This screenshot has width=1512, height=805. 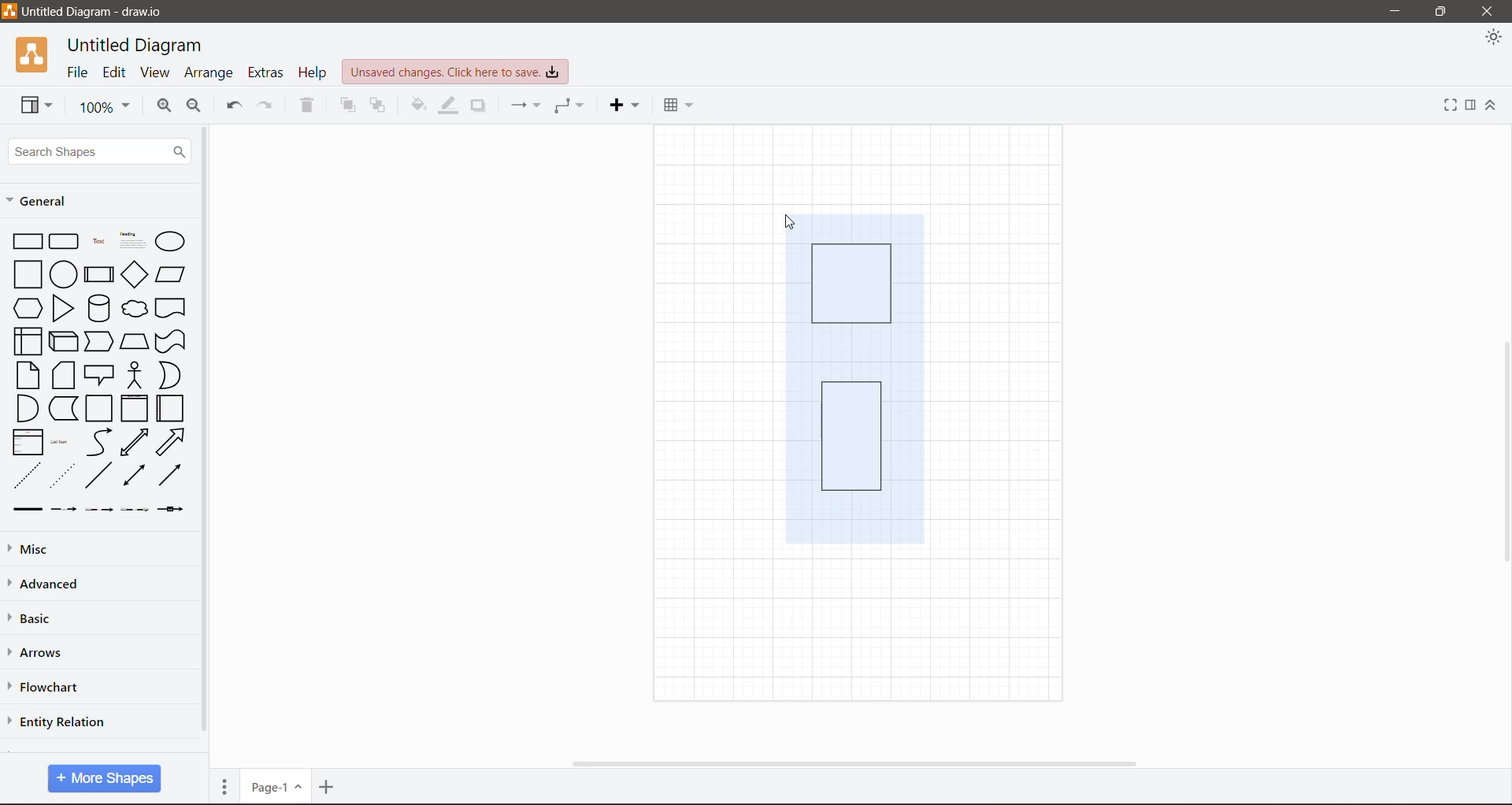 What do you see at coordinates (34, 54) in the screenshot?
I see `Application Logo` at bounding box center [34, 54].